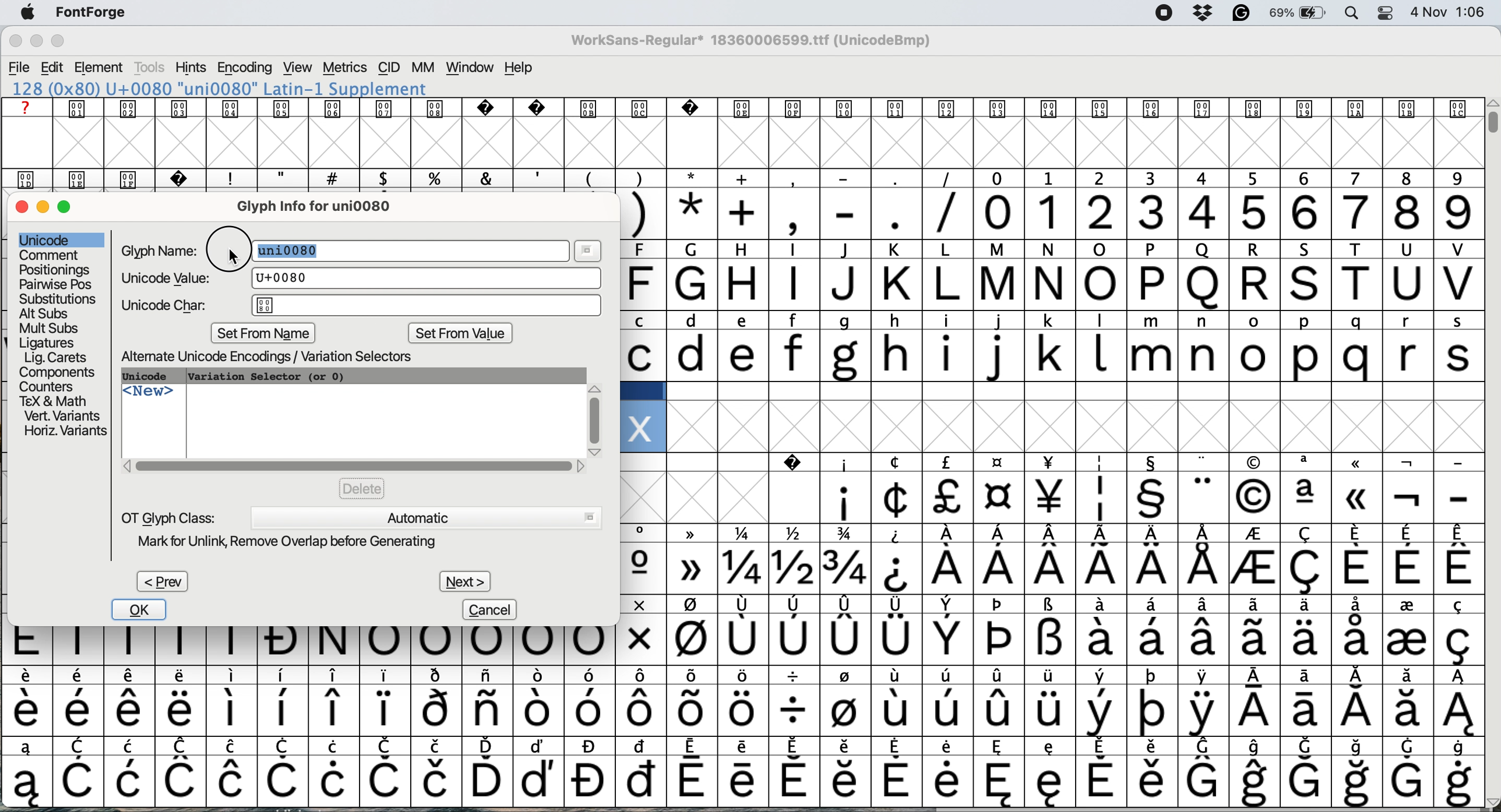 The height and width of the screenshot is (812, 1501). Describe the element at coordinates (745, 745) in the screenshot. I see `special characters` at that location.